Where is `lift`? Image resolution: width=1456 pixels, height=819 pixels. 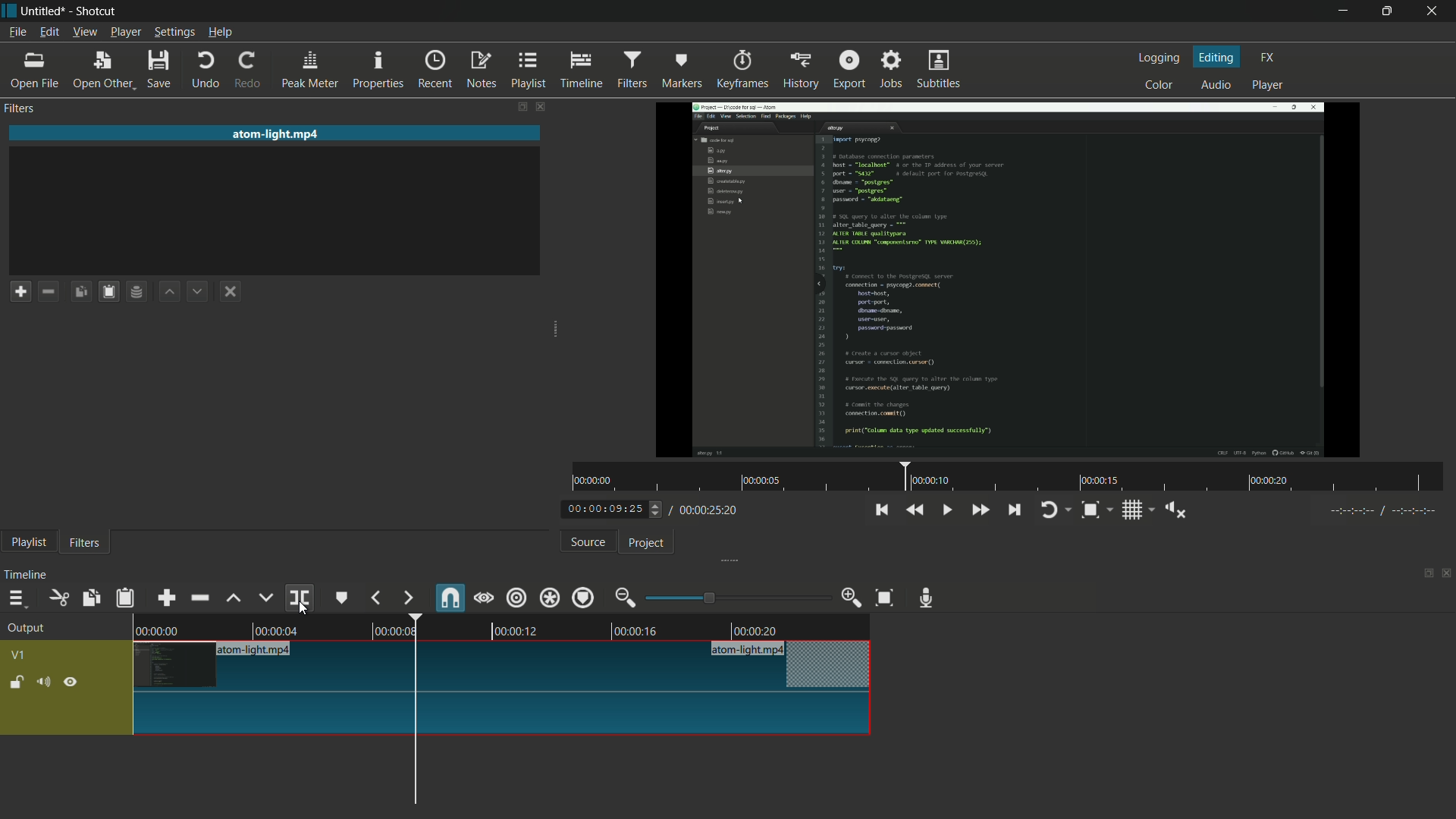
lift is located at coordinates (234, 598).